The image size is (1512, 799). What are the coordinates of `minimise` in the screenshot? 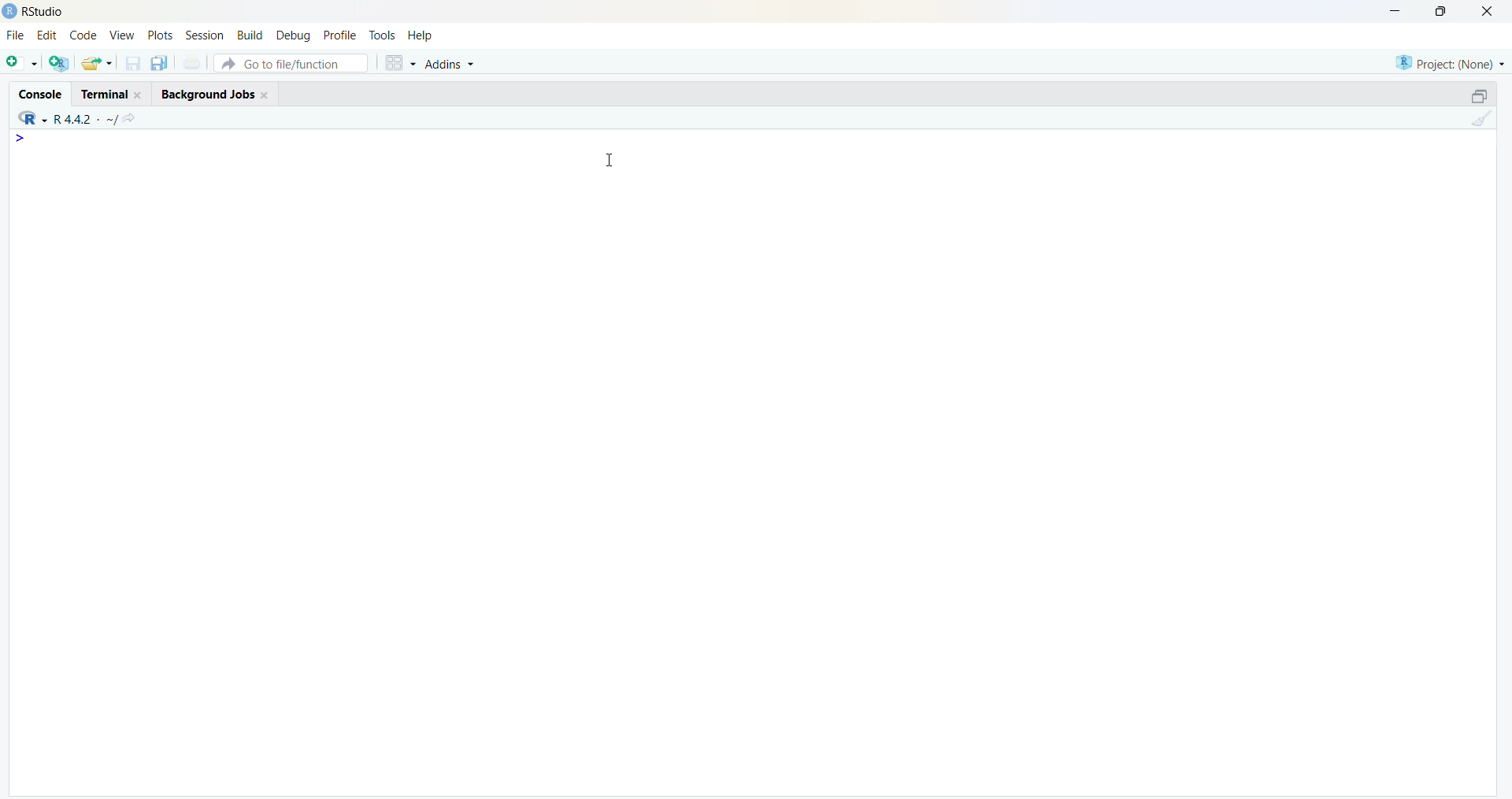 It's located at (1395, 10).